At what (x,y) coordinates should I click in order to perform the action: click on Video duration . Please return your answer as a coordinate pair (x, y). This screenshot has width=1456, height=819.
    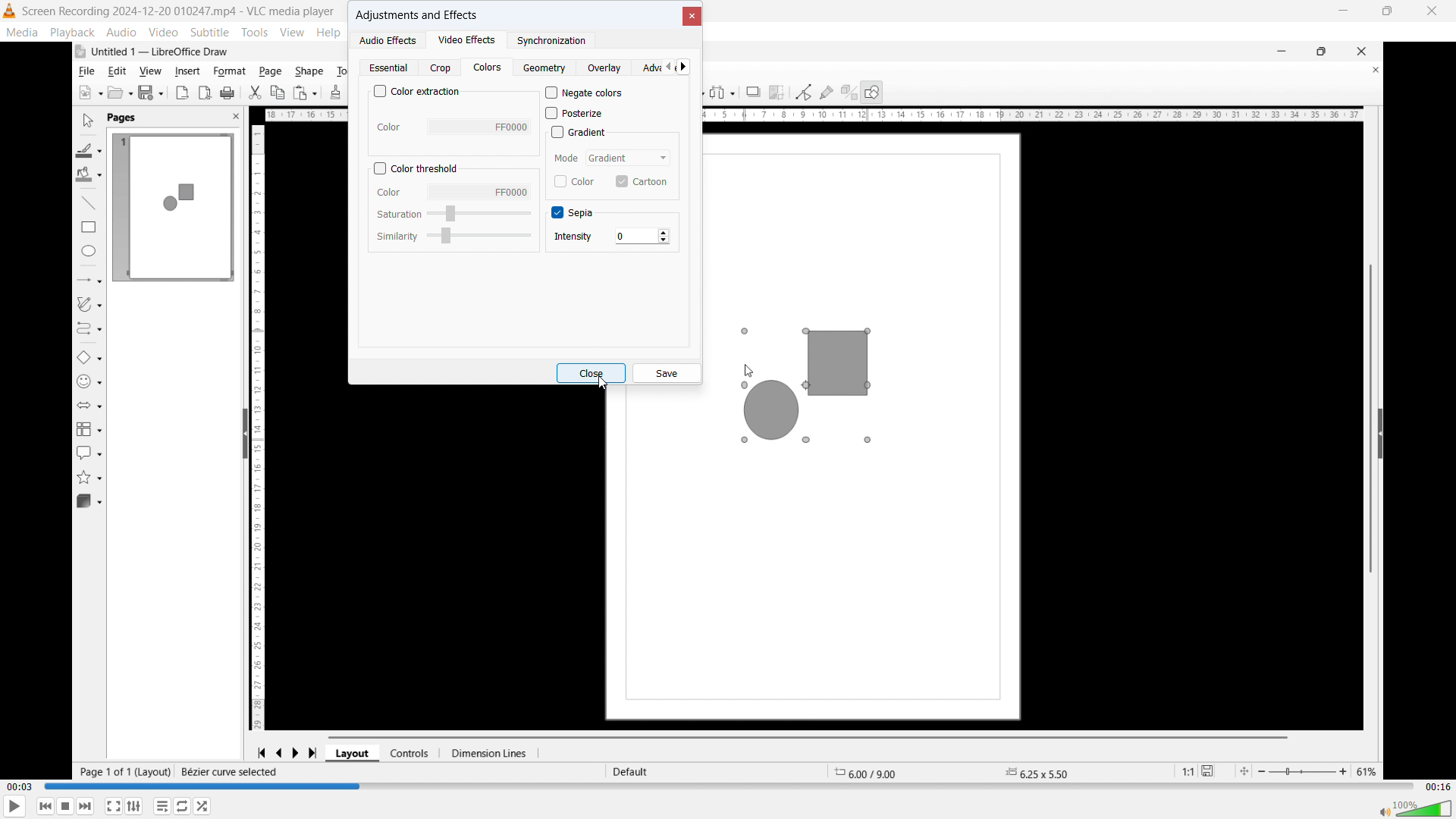
    Looking at the image, I should click on (1436, 786).